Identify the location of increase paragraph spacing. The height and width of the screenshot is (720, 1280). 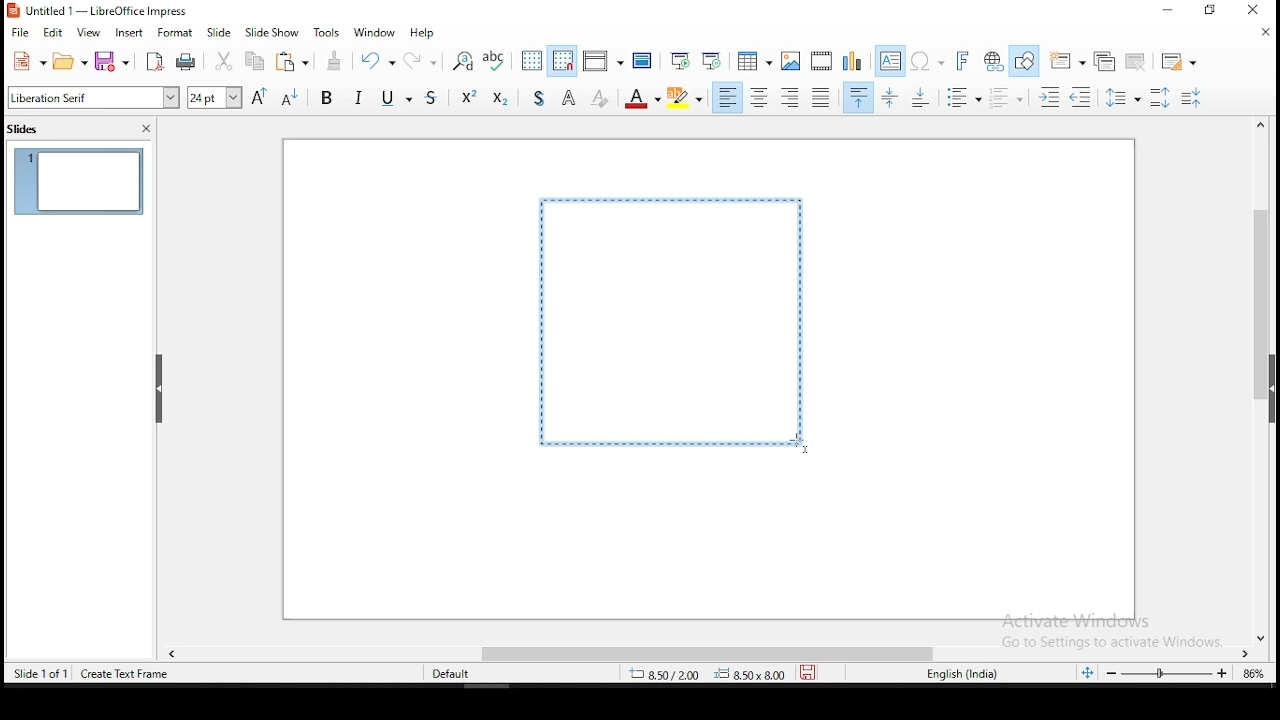
(1163, 98).